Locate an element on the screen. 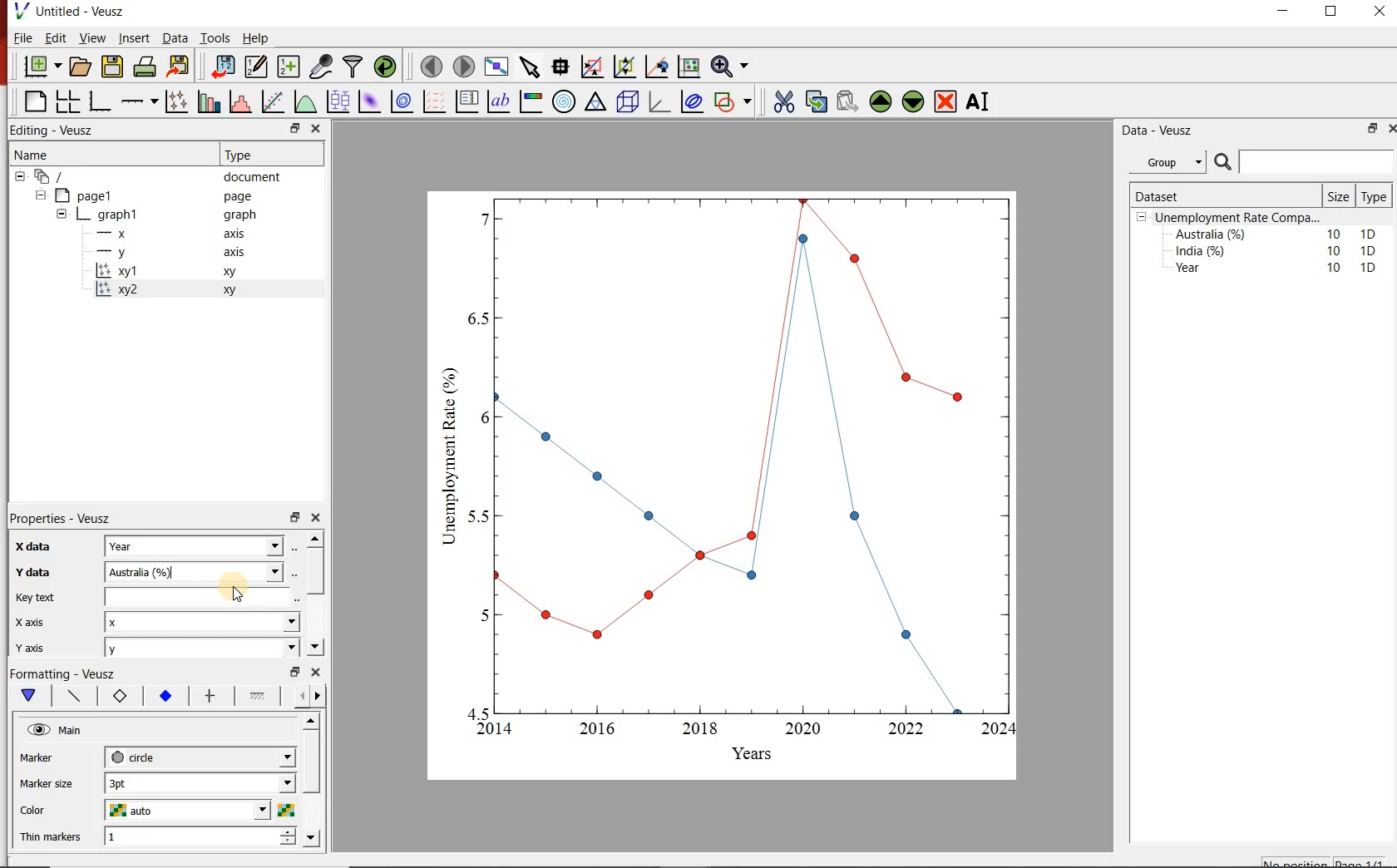  close is located at coordinates (317, 518).